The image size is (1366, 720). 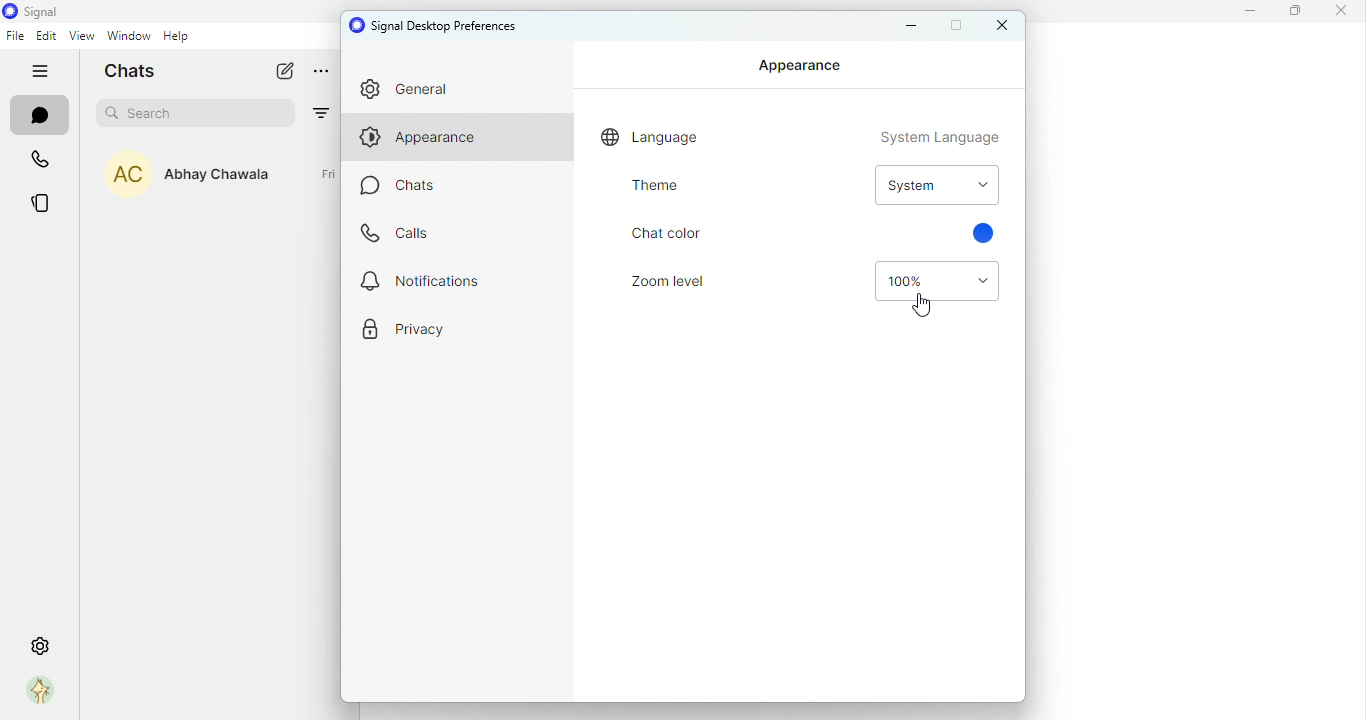 I want to click on search bar, so click(x=200, y=113).